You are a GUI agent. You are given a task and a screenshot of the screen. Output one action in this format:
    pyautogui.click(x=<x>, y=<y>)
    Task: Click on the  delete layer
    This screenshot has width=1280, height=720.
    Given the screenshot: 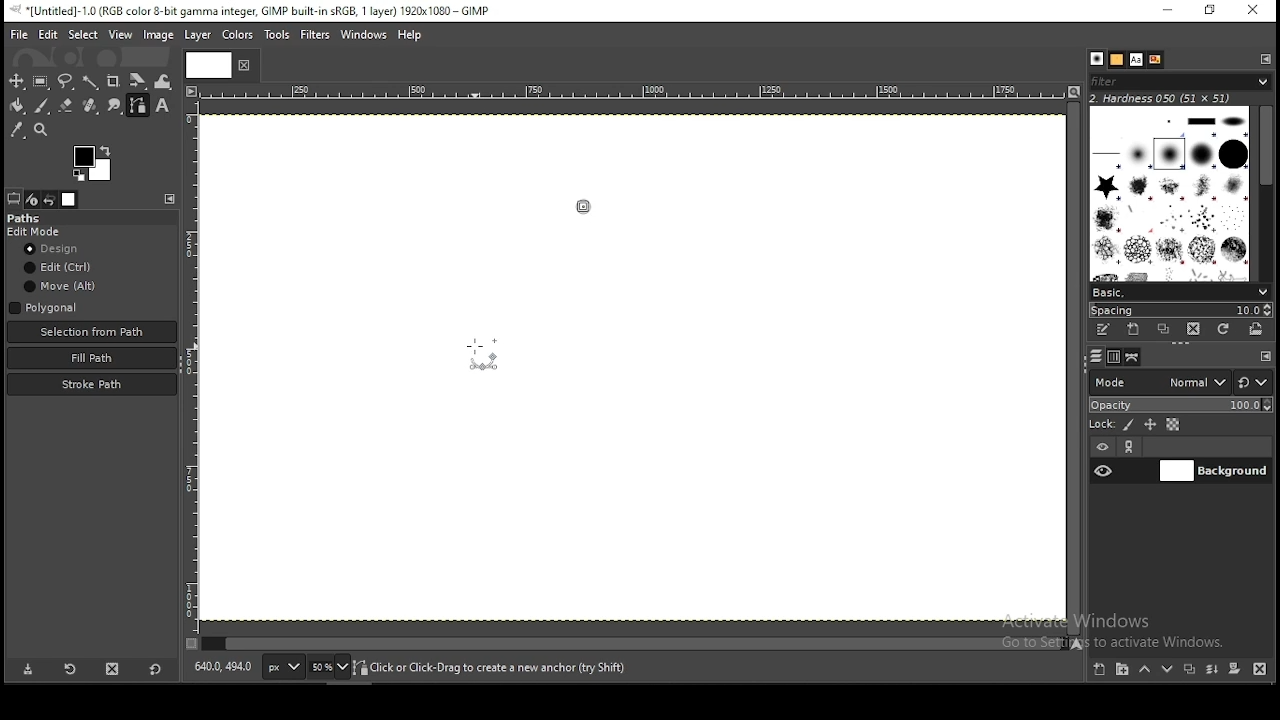 What is the action you would take?
    pyautogui.click(x=1259, y=670)
    